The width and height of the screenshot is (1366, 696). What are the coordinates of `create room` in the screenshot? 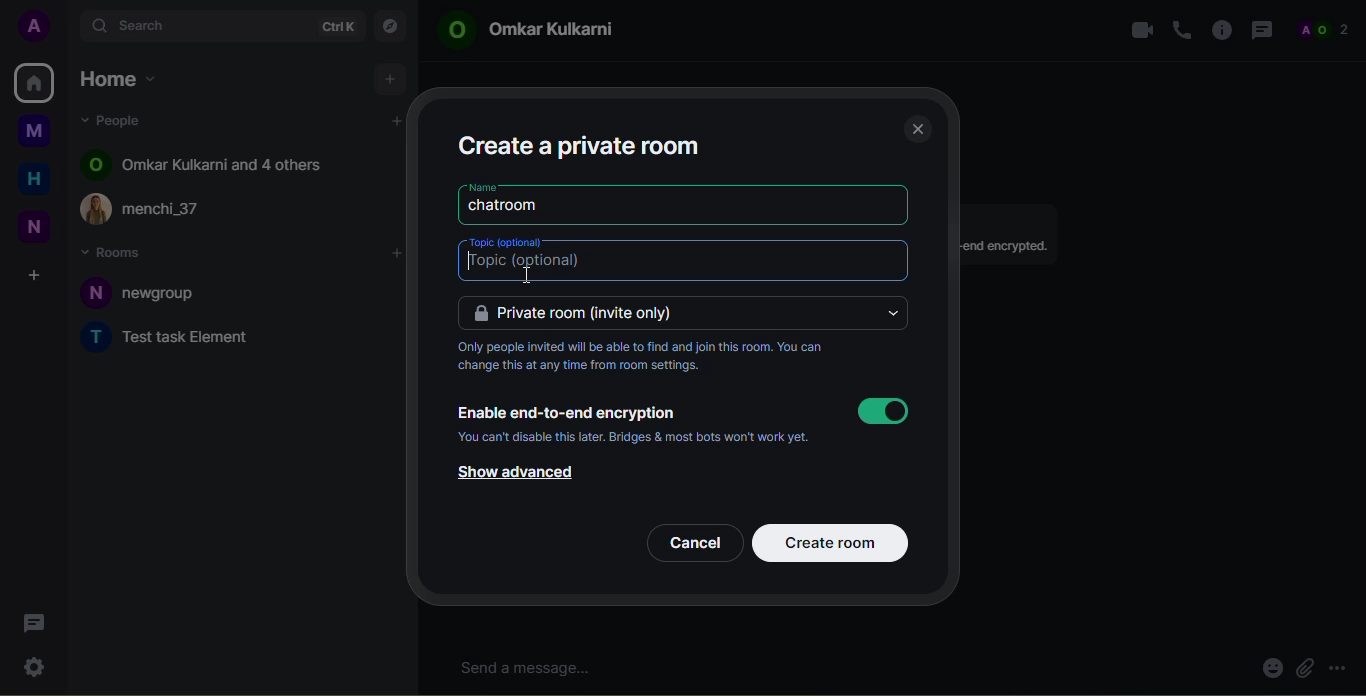 It's located at (834, 541).